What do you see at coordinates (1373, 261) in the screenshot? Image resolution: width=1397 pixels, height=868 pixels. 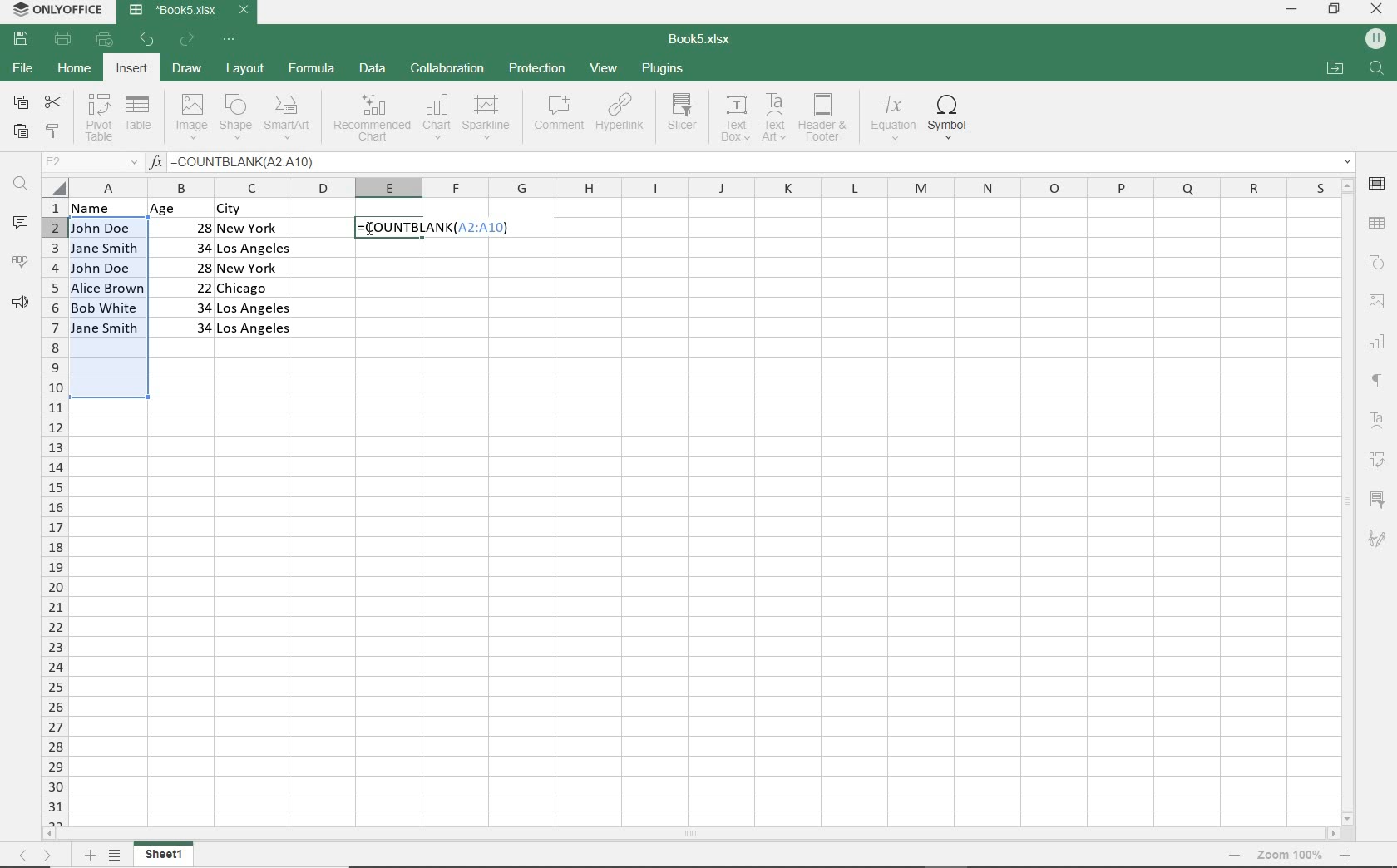 I see `SHAPE` at bounding box center [1373, 261].